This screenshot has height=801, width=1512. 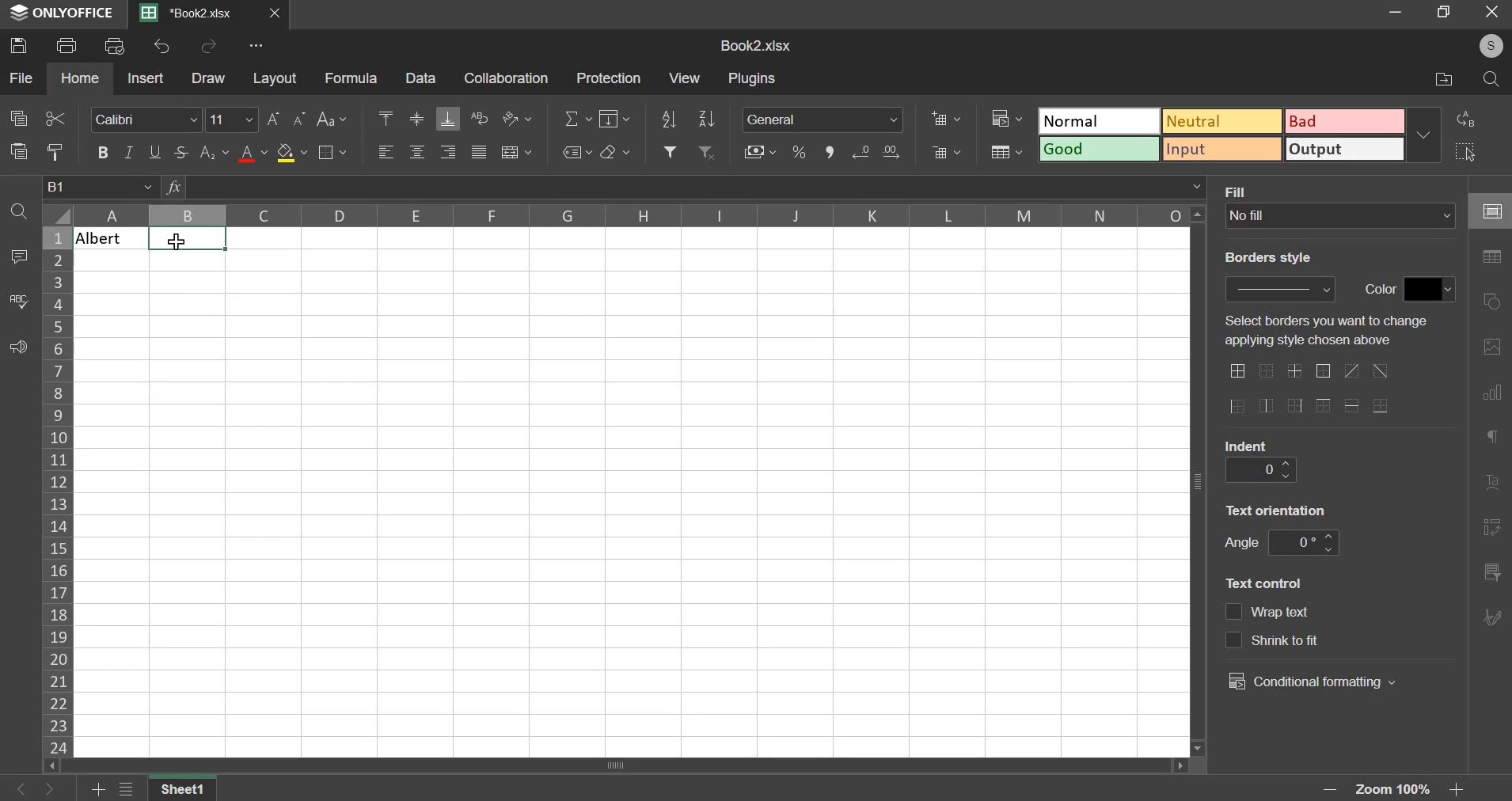 What do you see at coordinates (96, 788) in the screenshot?
I see `add sheets` at bounding box center [96, 788].